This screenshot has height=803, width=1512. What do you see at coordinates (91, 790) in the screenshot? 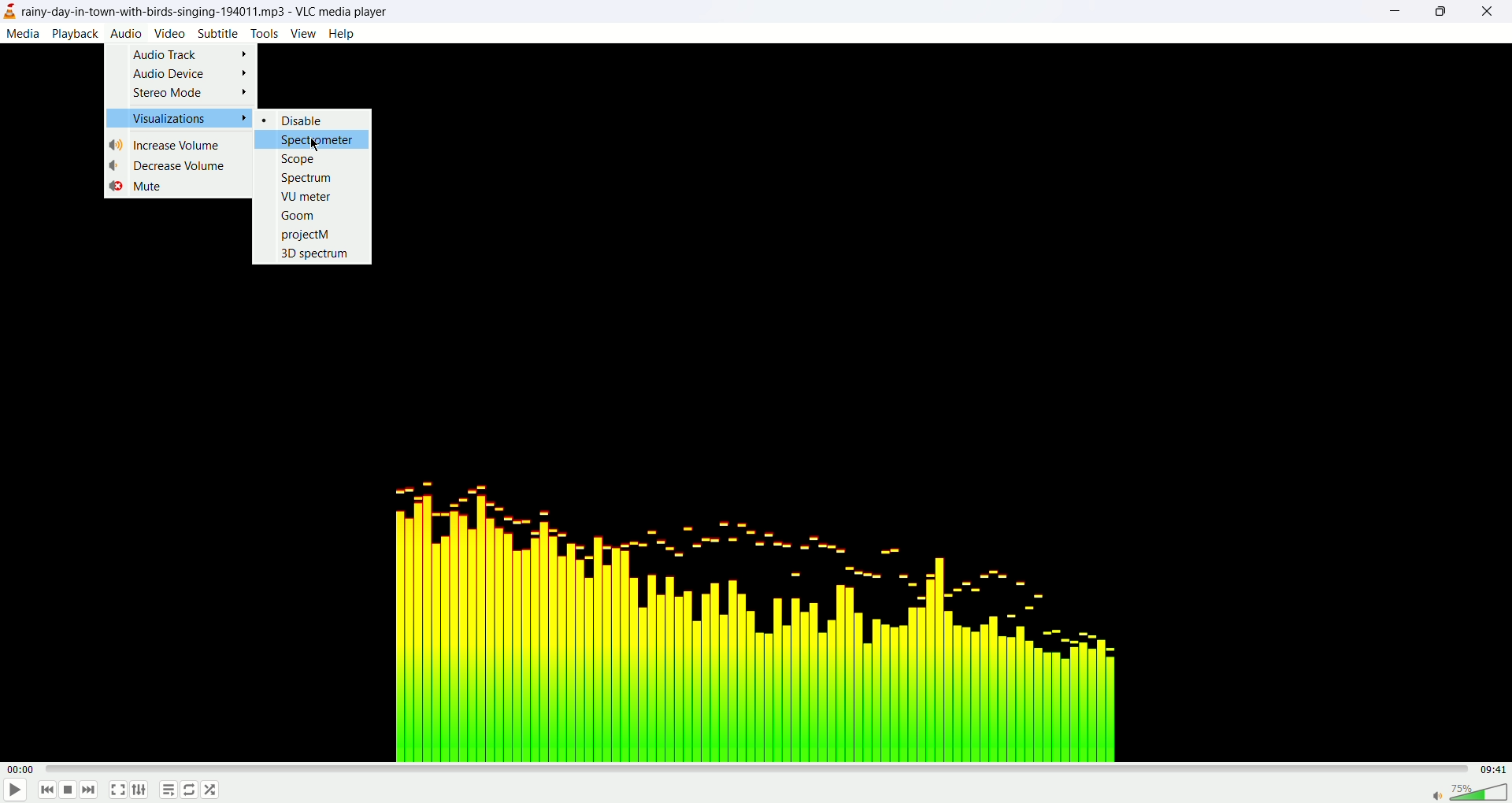
I see `next` at bounding box center [91, 790].